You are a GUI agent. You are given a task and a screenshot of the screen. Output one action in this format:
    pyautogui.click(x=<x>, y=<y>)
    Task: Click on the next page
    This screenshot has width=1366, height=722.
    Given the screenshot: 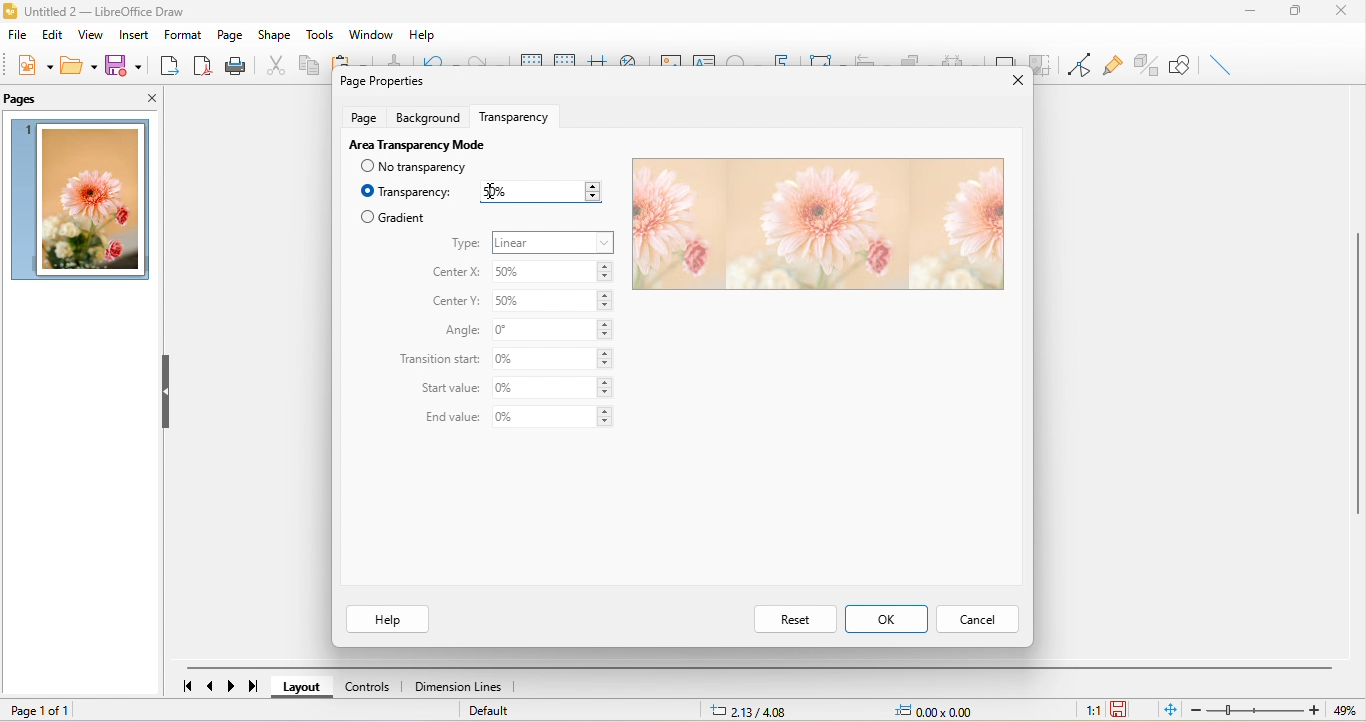 What is the action you would take?
    pyautogui.click(x=229, y=686)
    